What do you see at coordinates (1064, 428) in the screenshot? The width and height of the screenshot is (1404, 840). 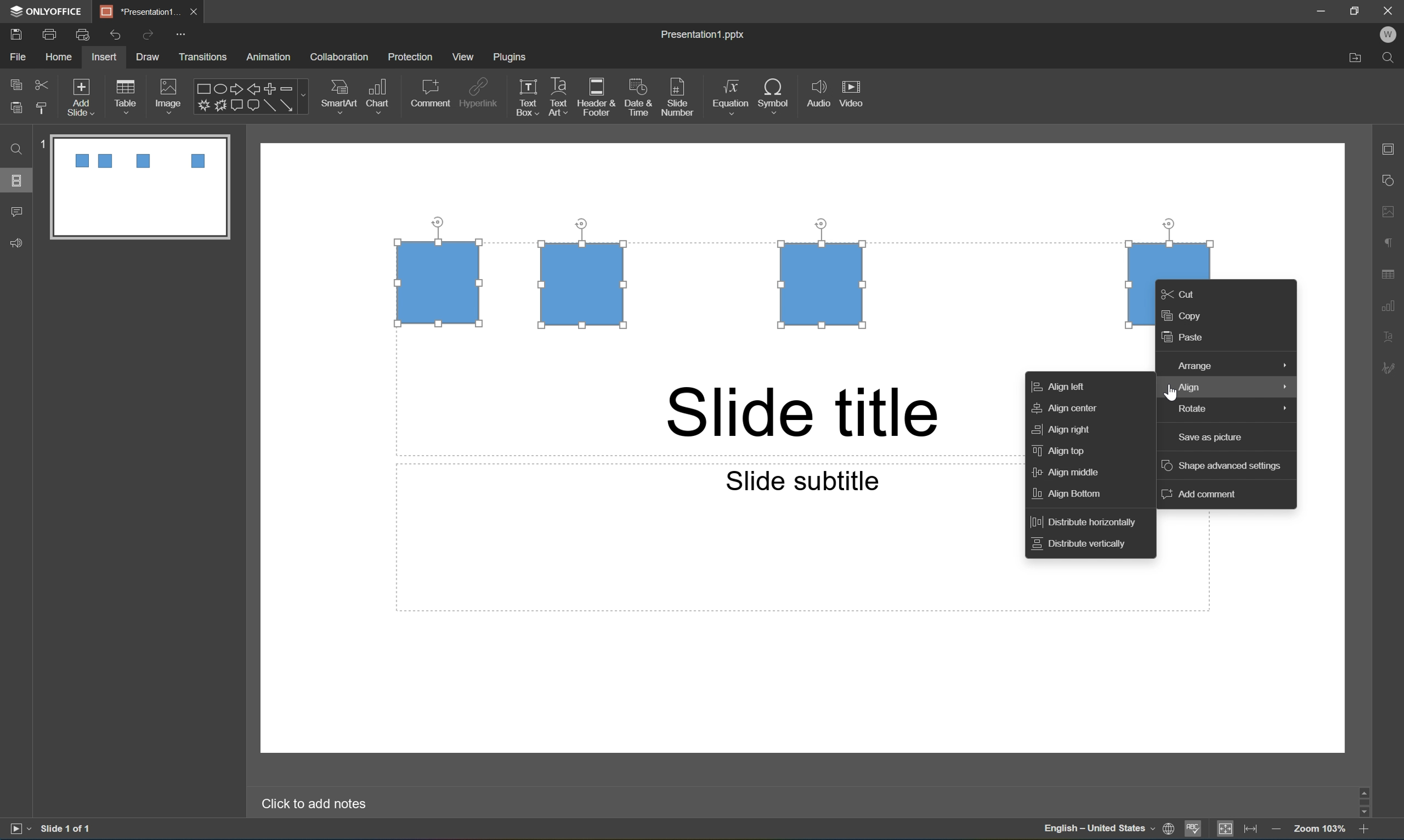 I see `align right` at bounding box center [1064, 428].